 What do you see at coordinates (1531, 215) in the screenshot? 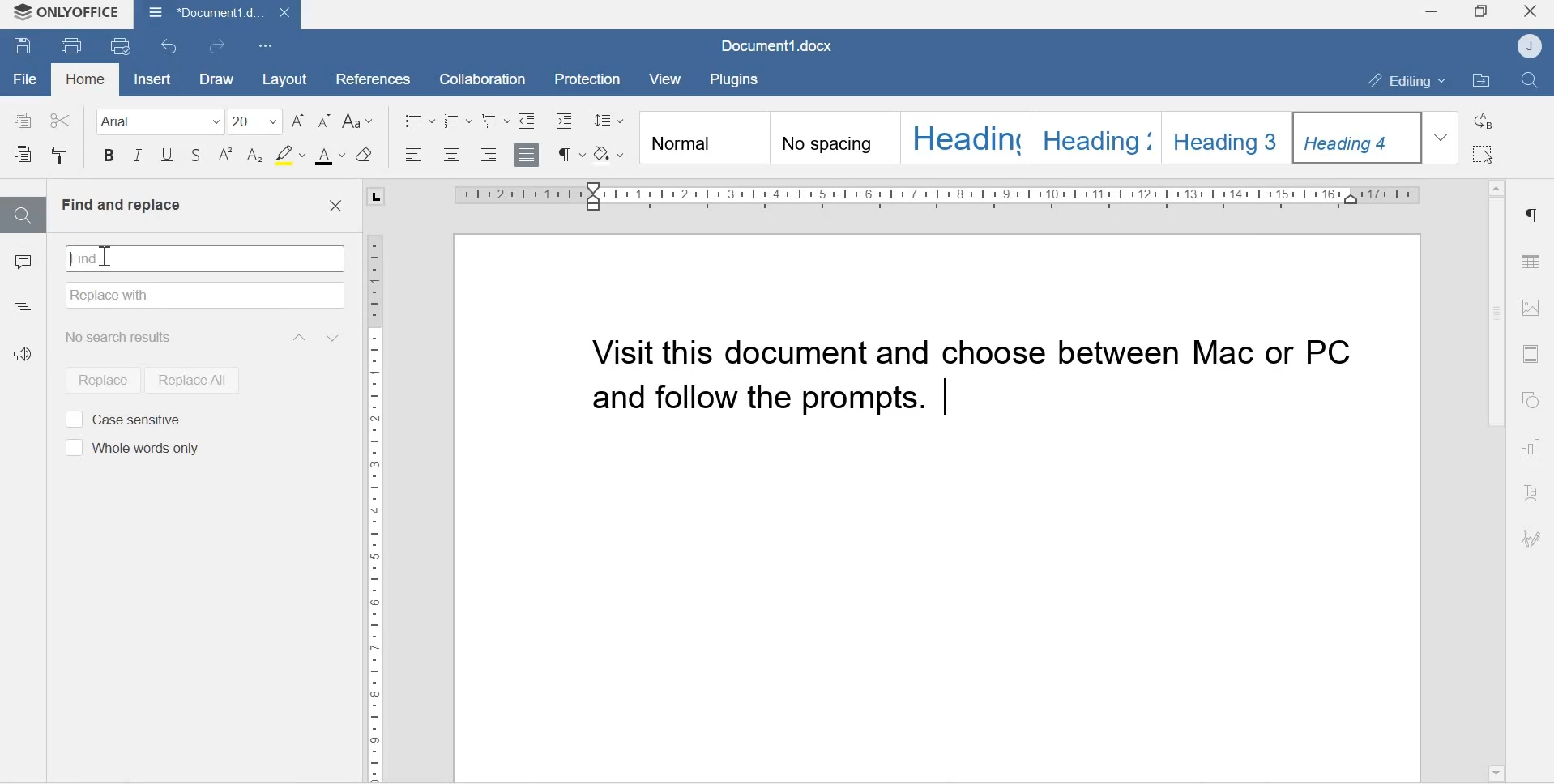
I see `Paragraph settings` at bounding box center [1531, 215].